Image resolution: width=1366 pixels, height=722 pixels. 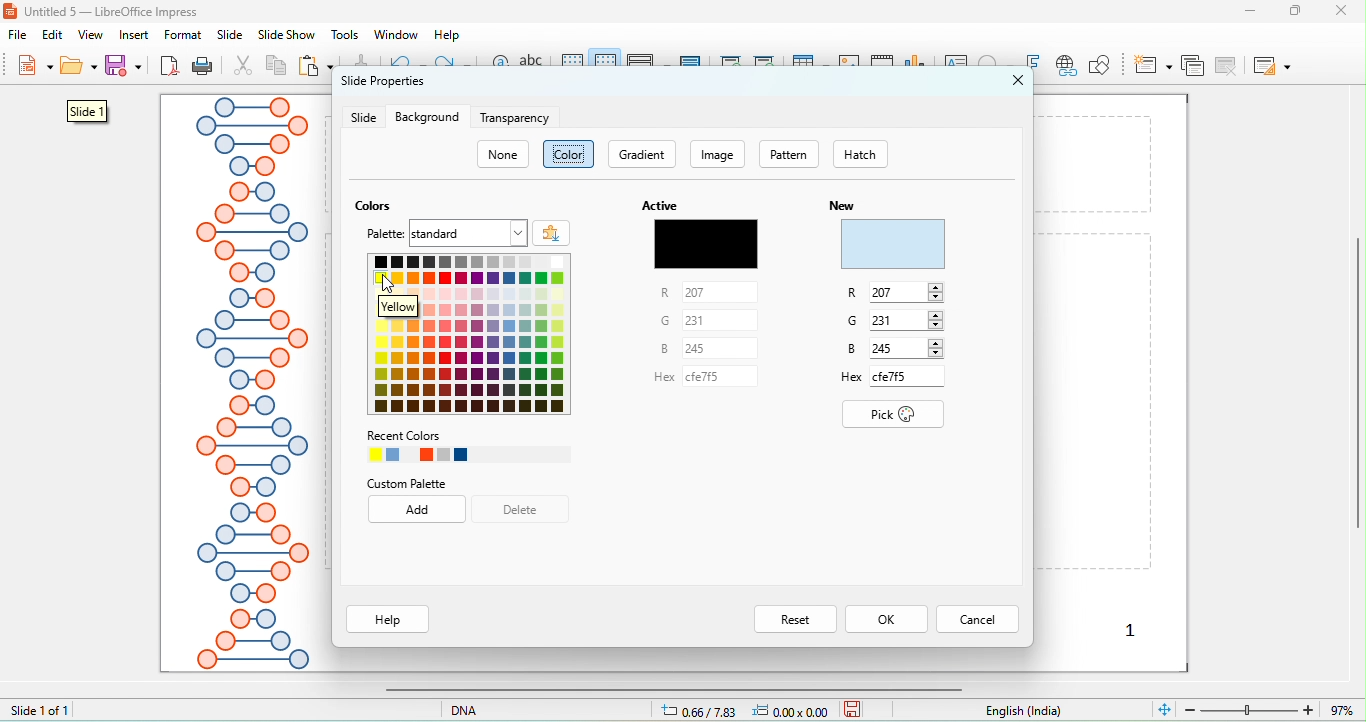 I want to click on text box, so click(x=958, y=65).